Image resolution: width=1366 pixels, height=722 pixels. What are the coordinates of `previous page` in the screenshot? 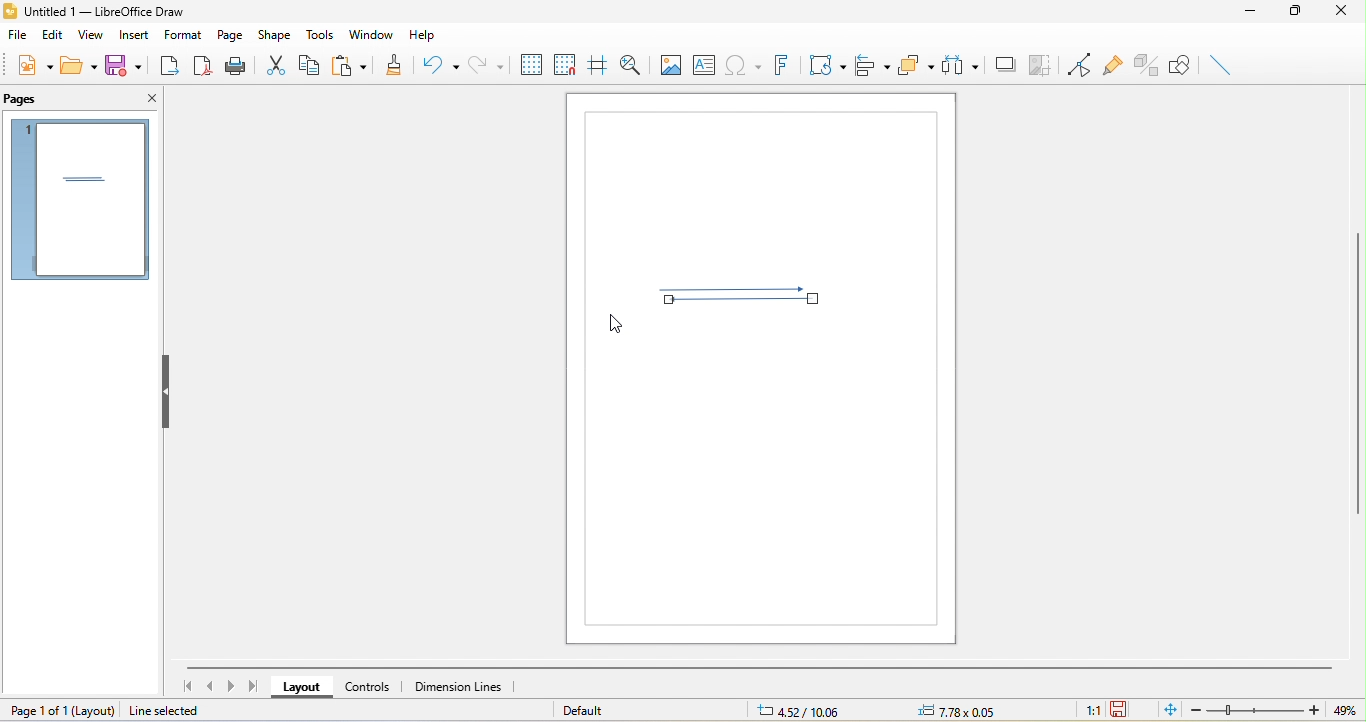 It's located at (210, 687).